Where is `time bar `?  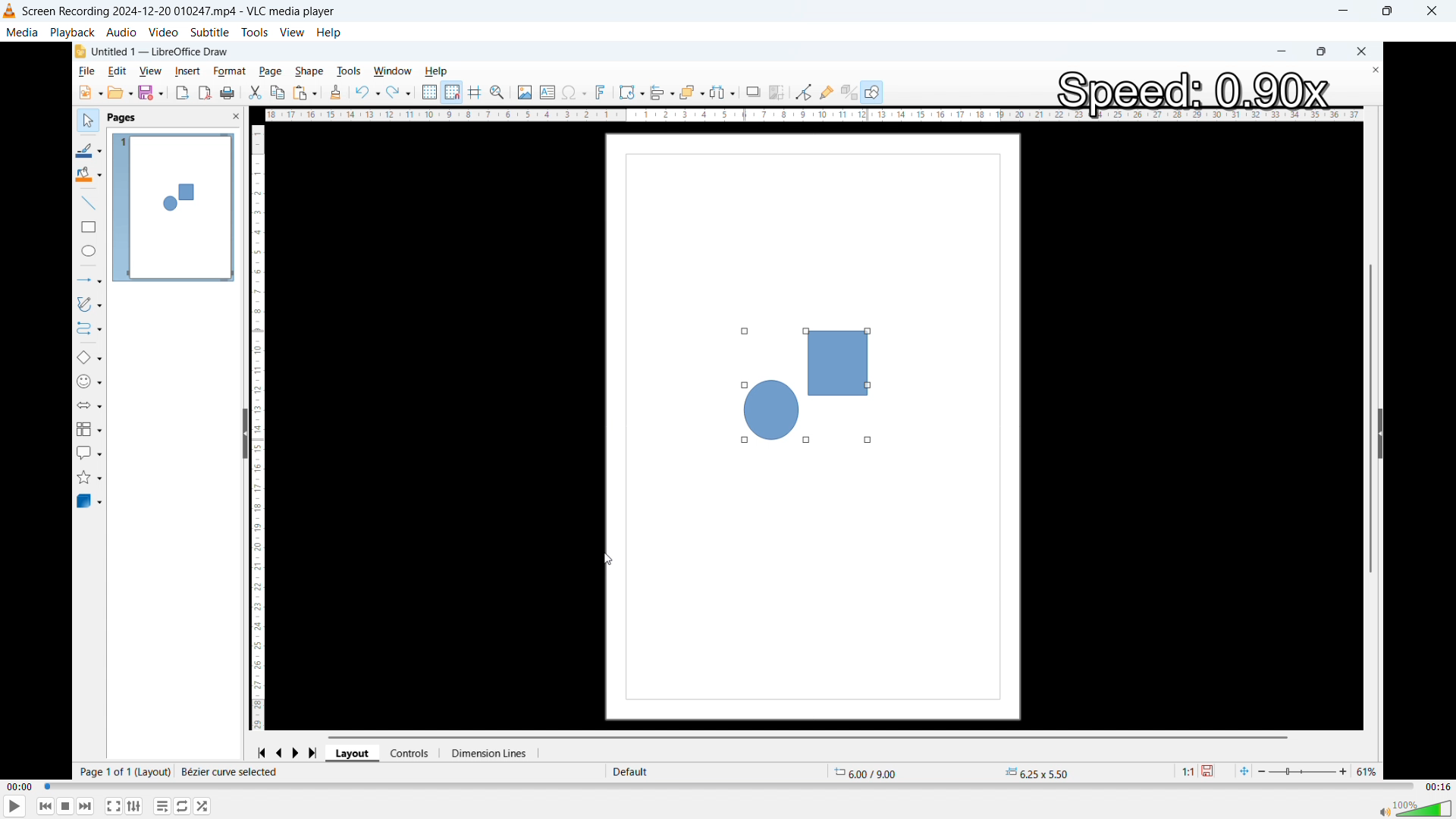
time bar  is located at coordinates (729, 786).